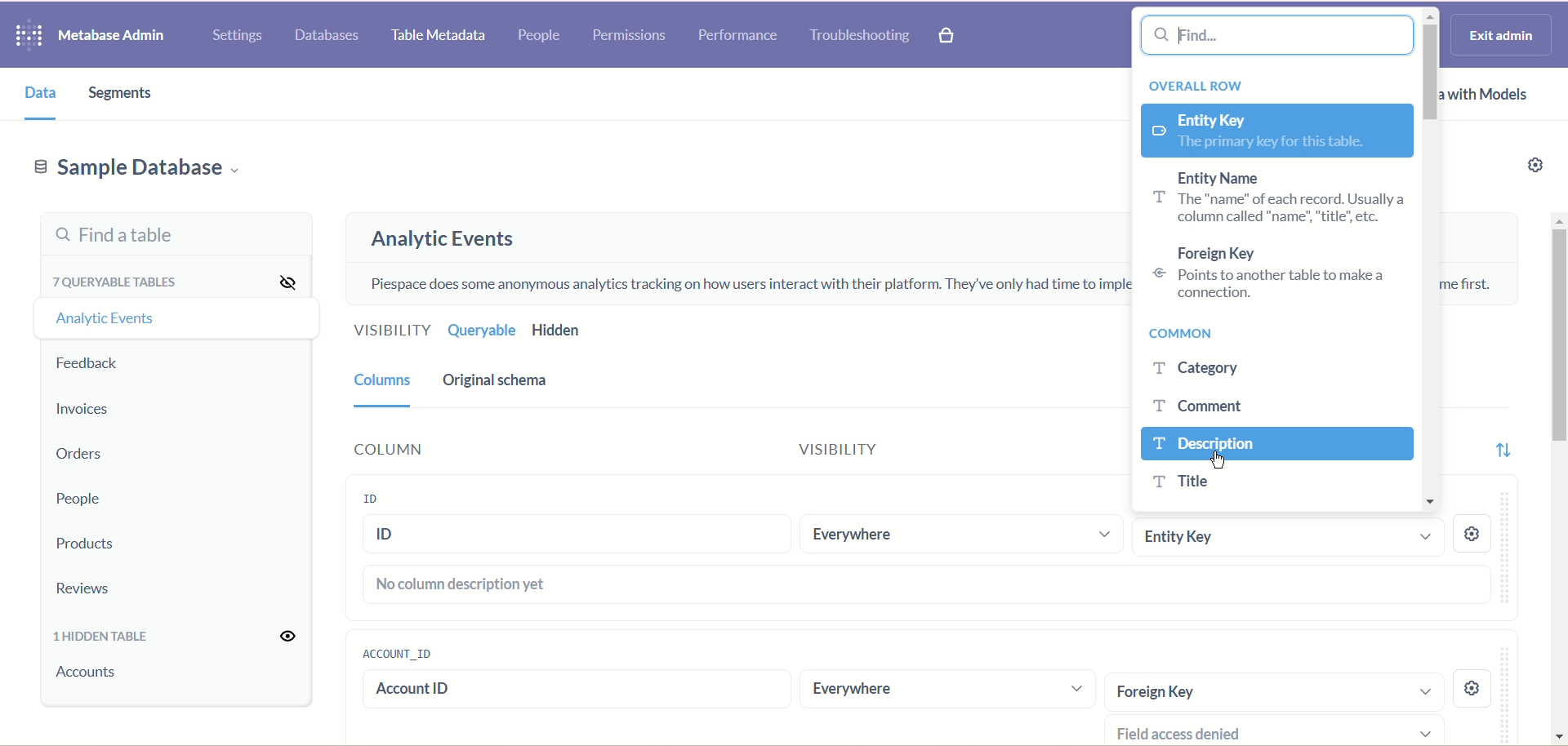 The image size is (1568, 746). What do you see at coordinates (1272, 690) in the screenshot?
I see `foreign key` at bounding box center [1272, 690].